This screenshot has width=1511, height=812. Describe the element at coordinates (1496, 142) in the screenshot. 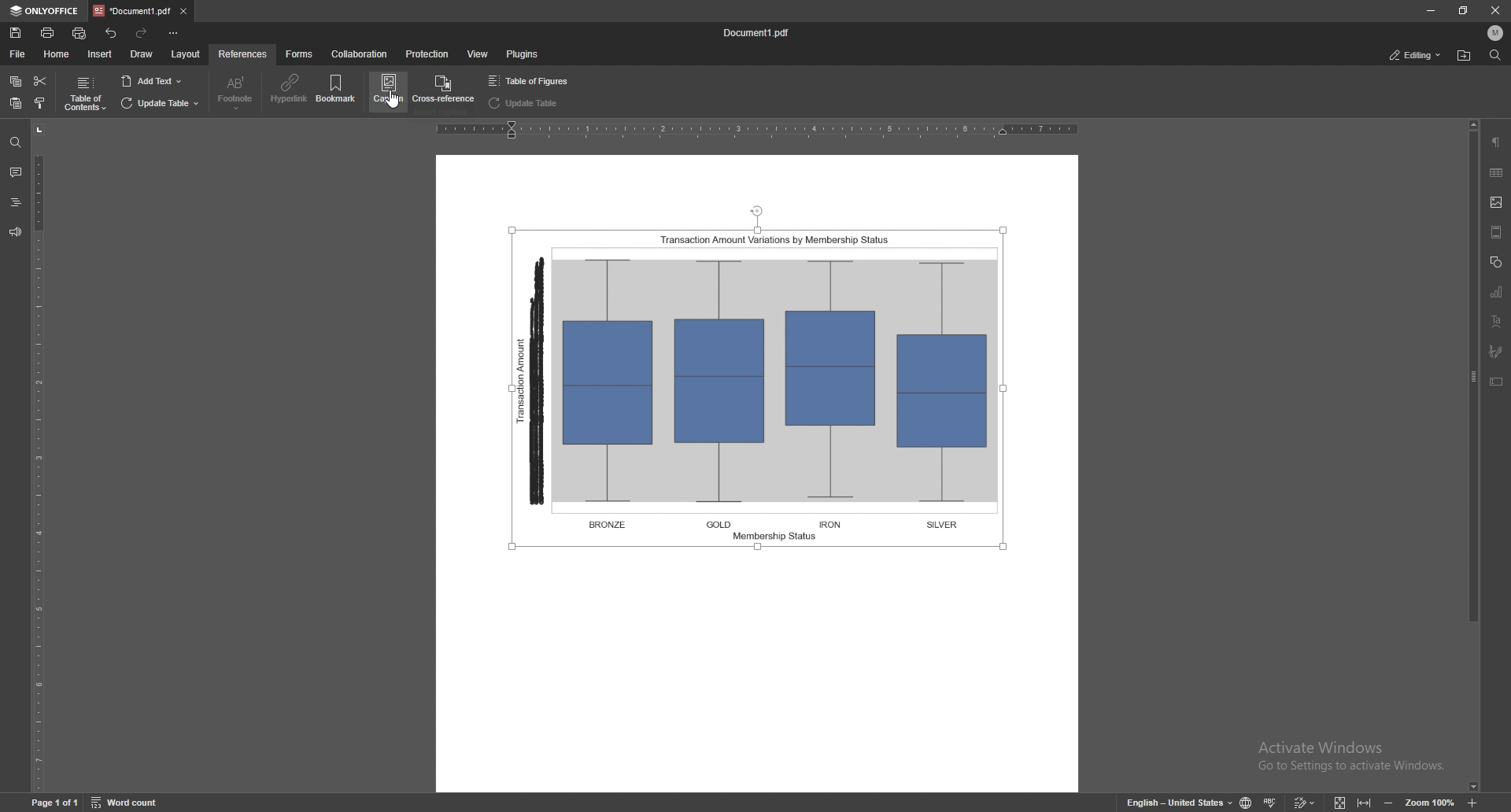

I see `paragraph` at that location.